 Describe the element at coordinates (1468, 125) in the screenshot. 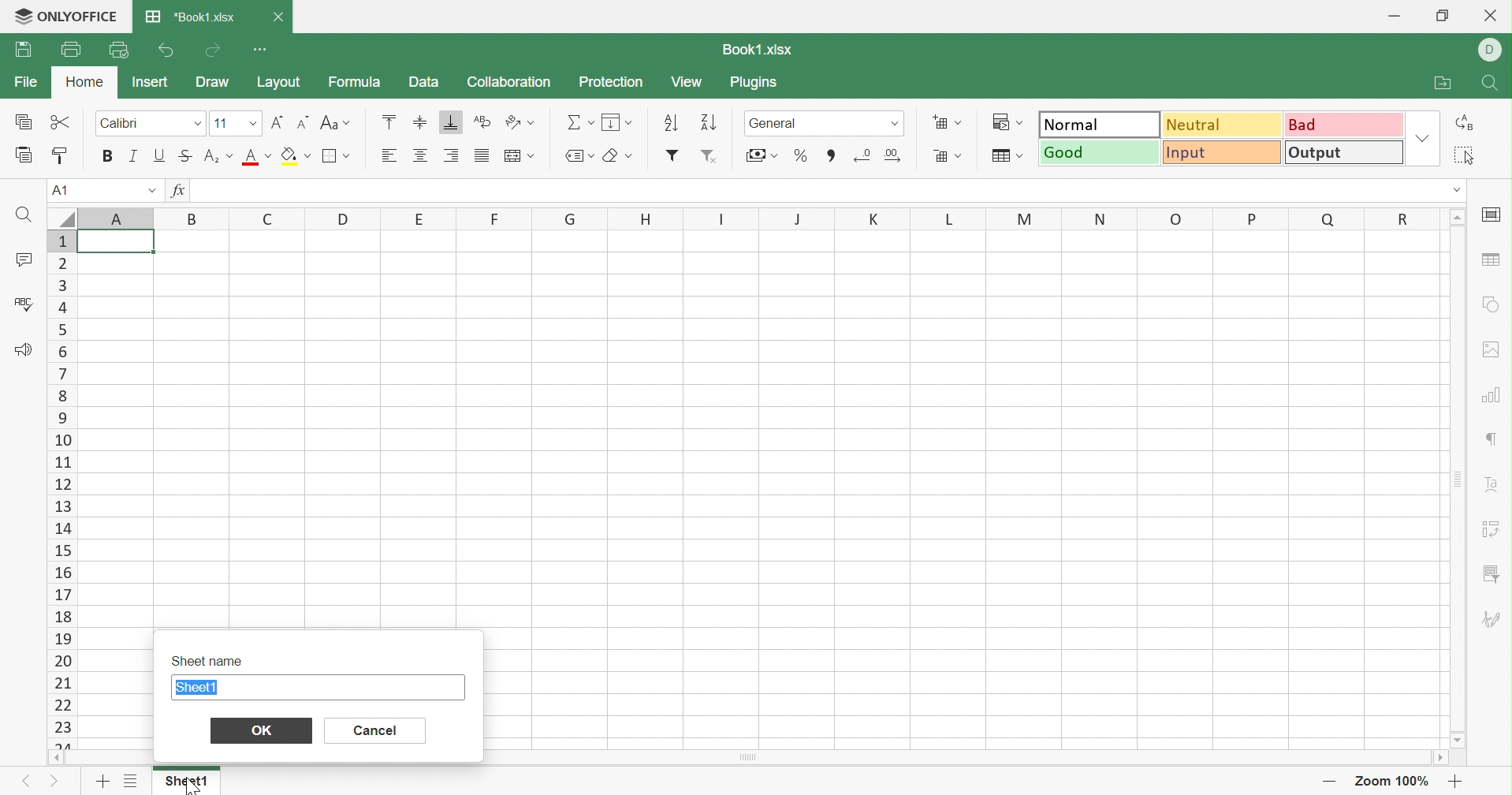

I see `Replace` at that location.